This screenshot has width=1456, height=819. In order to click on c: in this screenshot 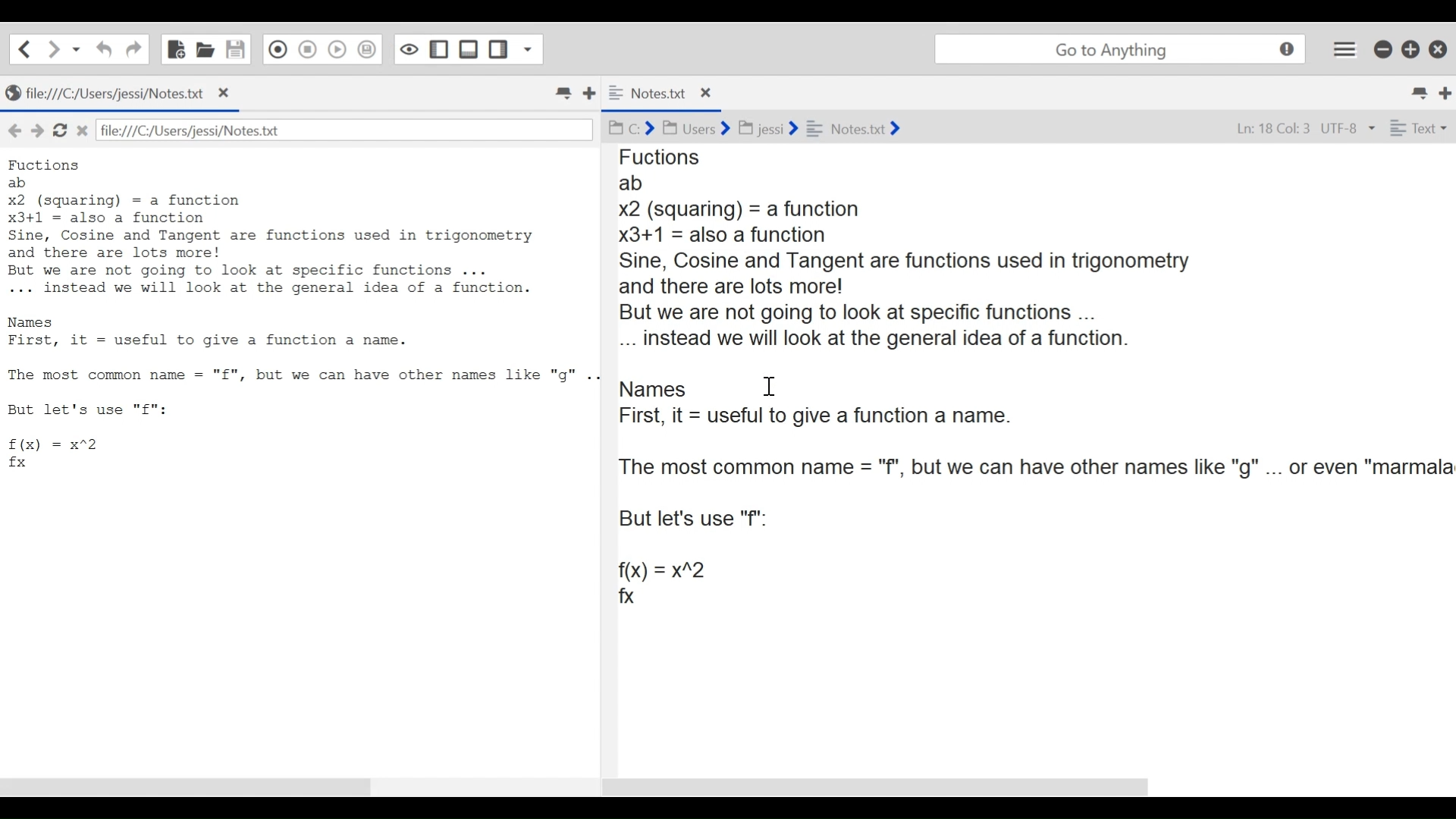, I will do `click(629, 130)`.